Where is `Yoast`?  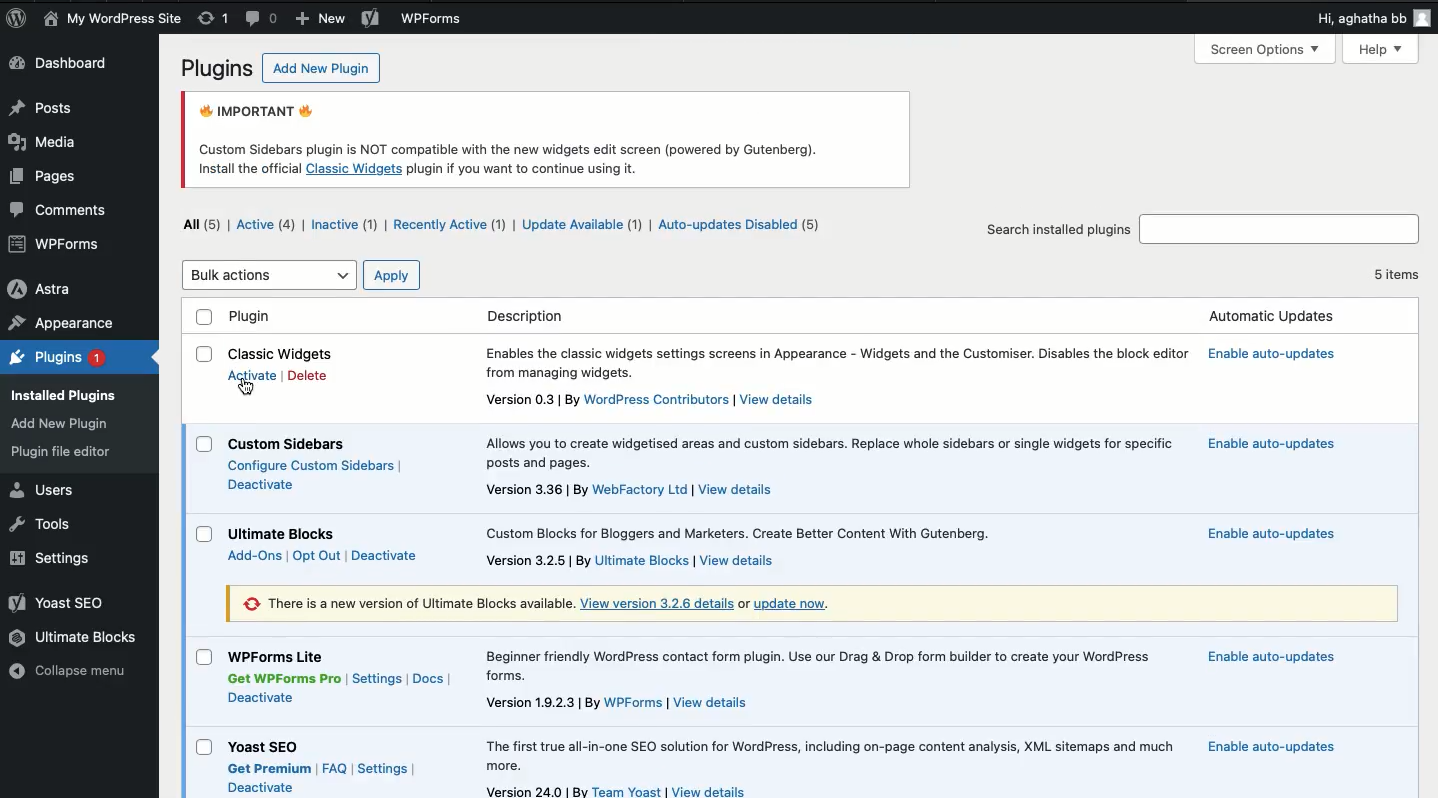 Yoast is located at coordinates (59, 604).